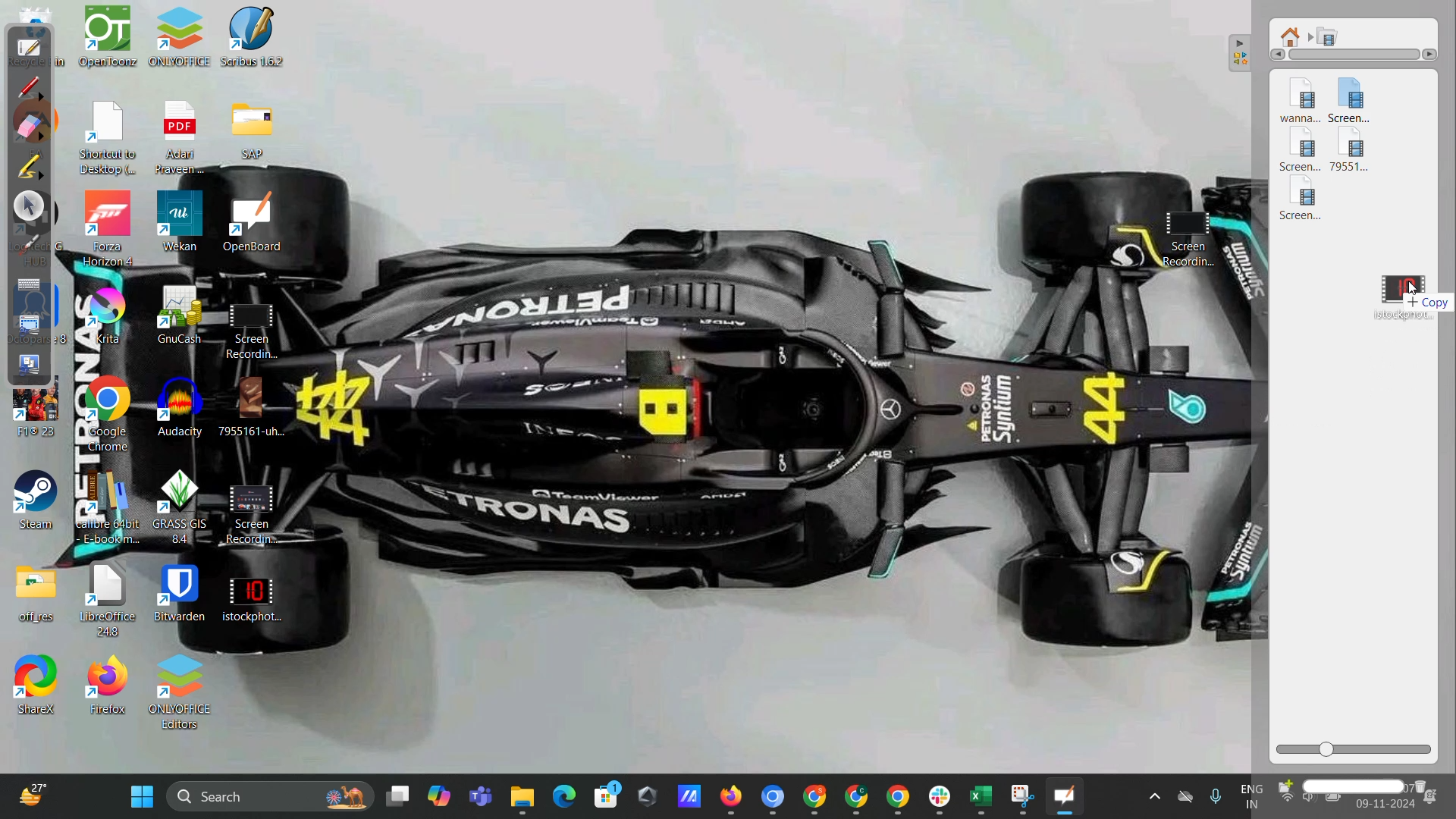 The height and width of the screenshot is (819, 1456). What do you see at coordinates (1361, 102) in the screenshot?
I see `video 2` at bounding box center [1361, 102].